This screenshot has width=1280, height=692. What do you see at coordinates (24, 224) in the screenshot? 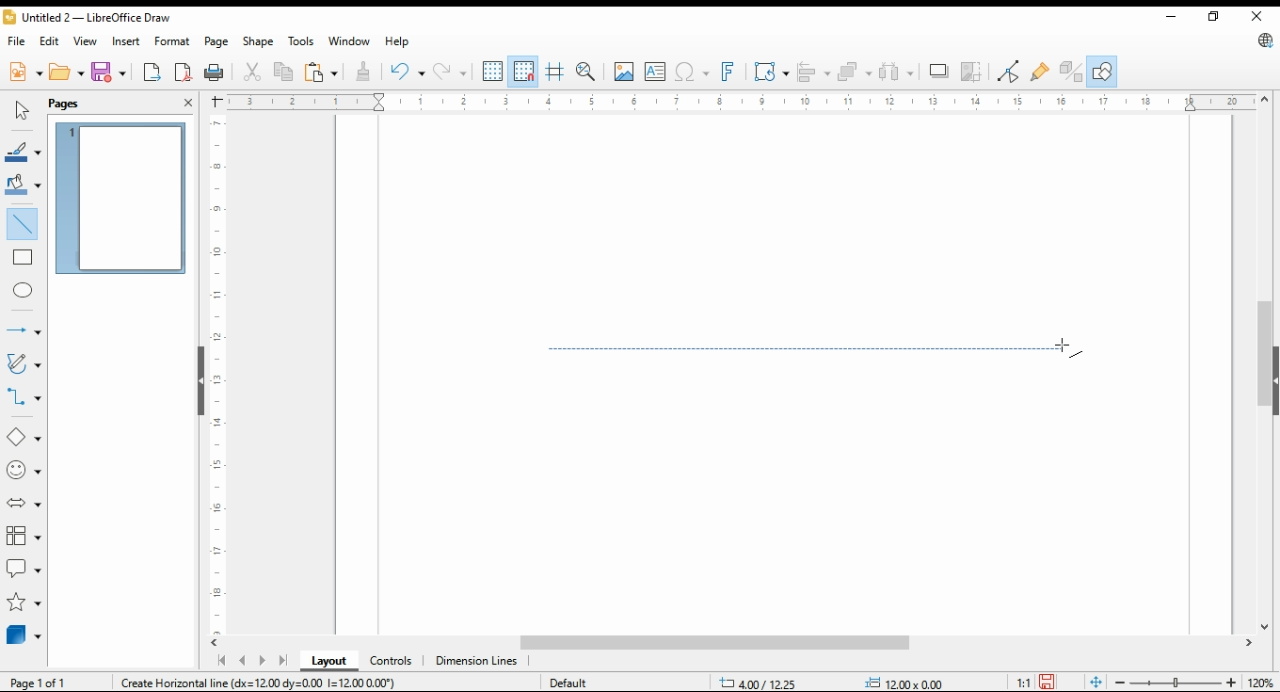
I see `insert line` at bounding box center [24, 224].